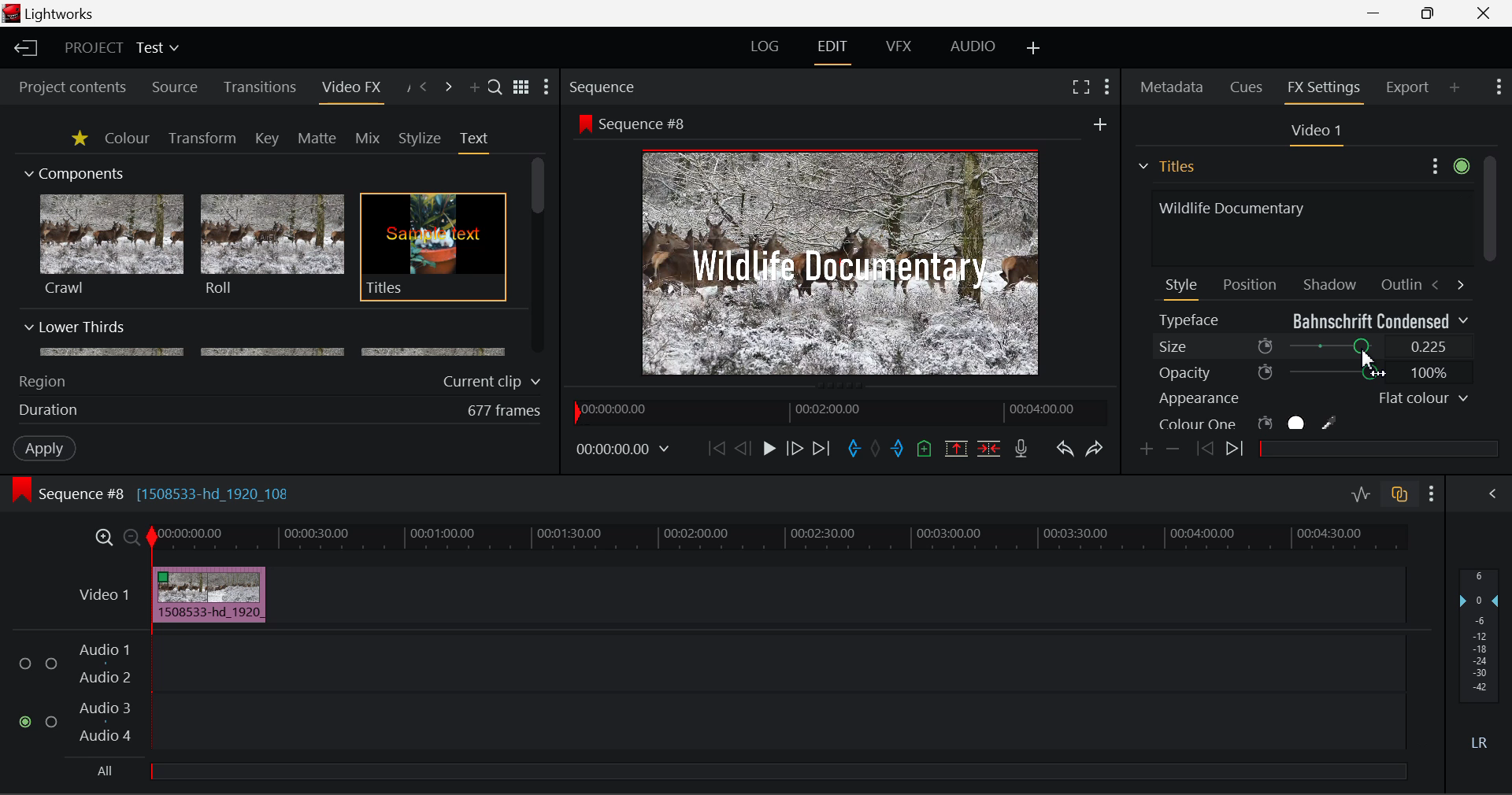 This screenshot has width=1512, height=795. I want to click on Undo, so click(1065, 450).